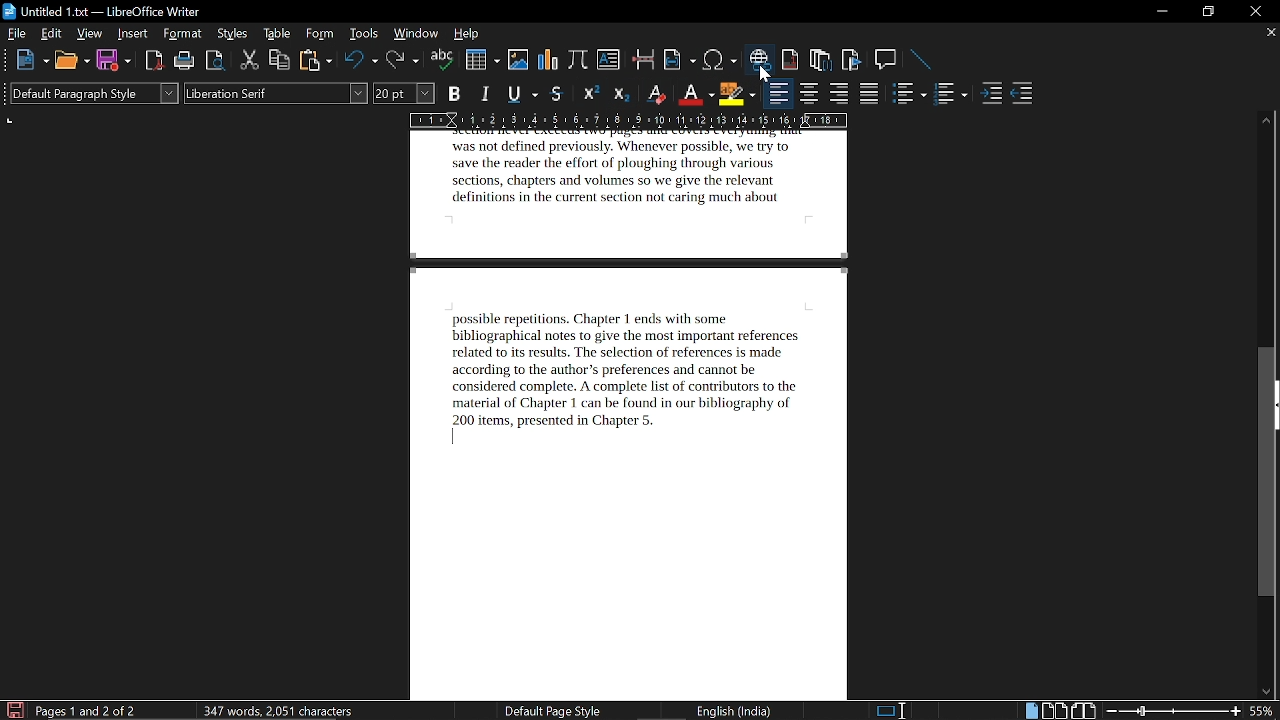  What do you see at coordinates (590, 95) in the screenshot?
I see `superscript` at bounding box center [590, 95].